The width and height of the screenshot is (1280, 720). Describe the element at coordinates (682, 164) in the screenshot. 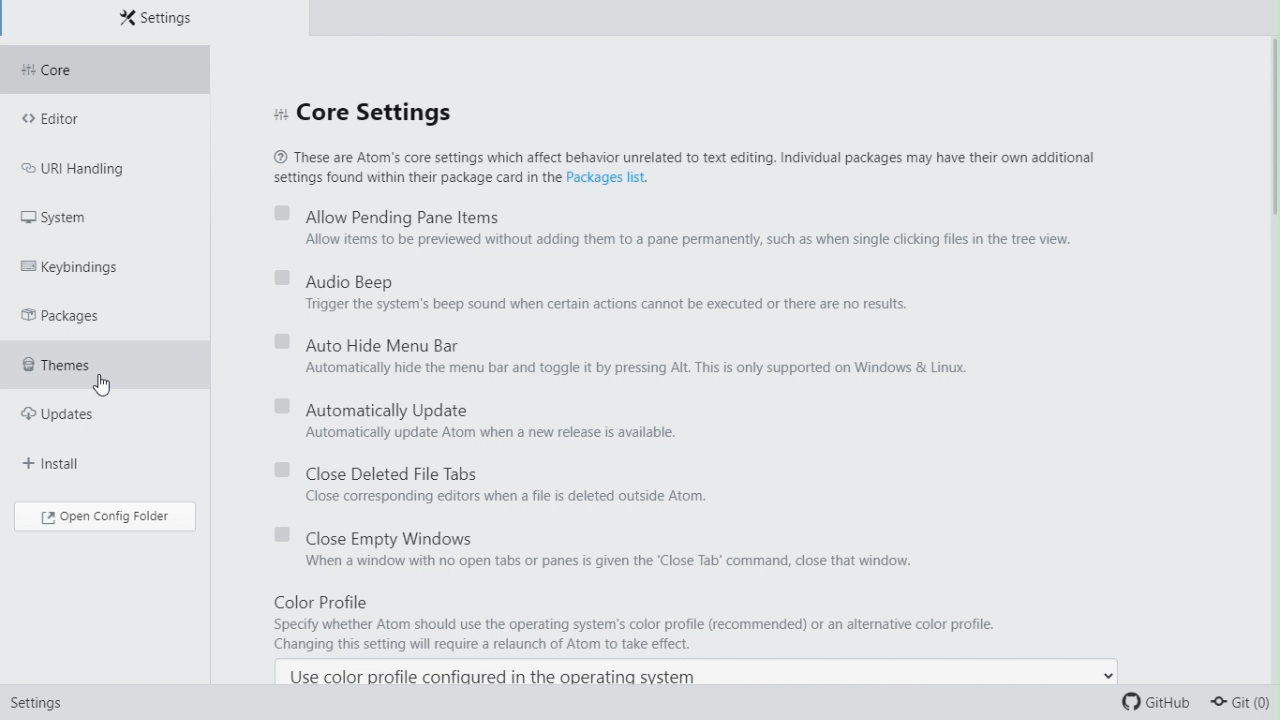

I see `® These are Atom's core settings which affect behavior unrelated to text editing. Individual packages may have their own additional
settings found within their package card in the Packages list.` at that location.